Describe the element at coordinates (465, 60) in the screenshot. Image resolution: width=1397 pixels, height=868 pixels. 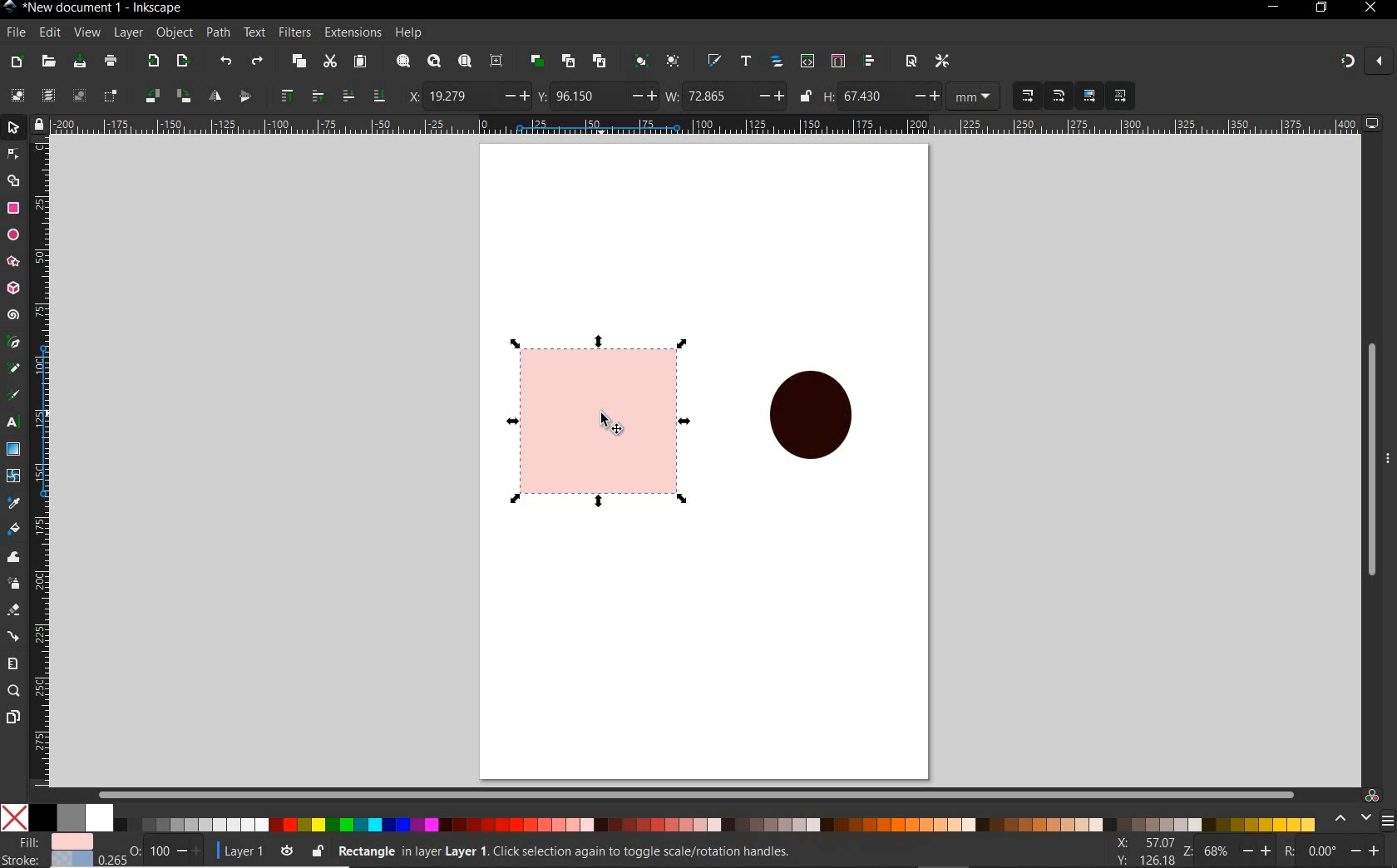
I see `zoom page` at that location.